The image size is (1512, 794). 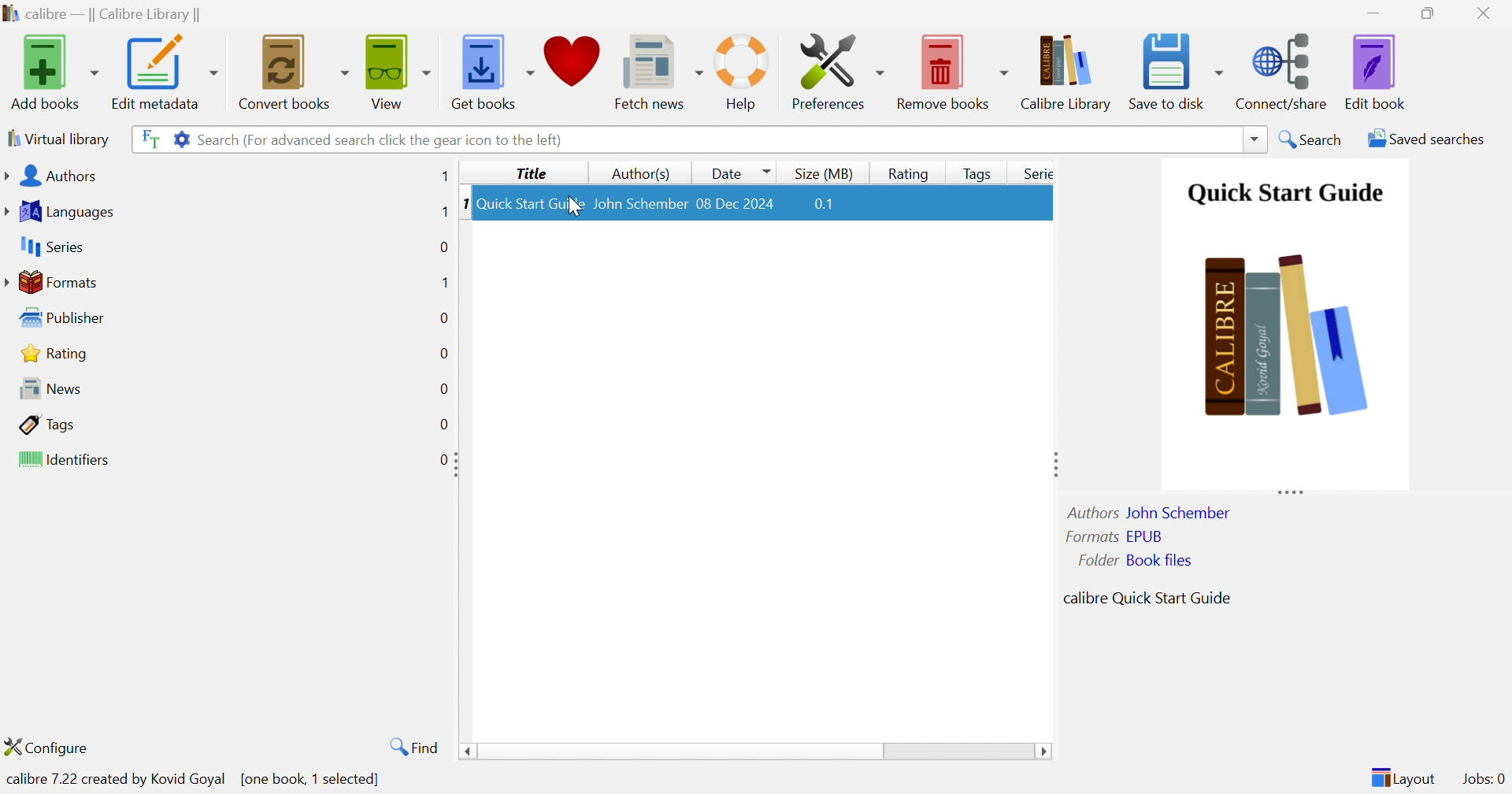 I want to click on Get books, so click(x=495, y=69).